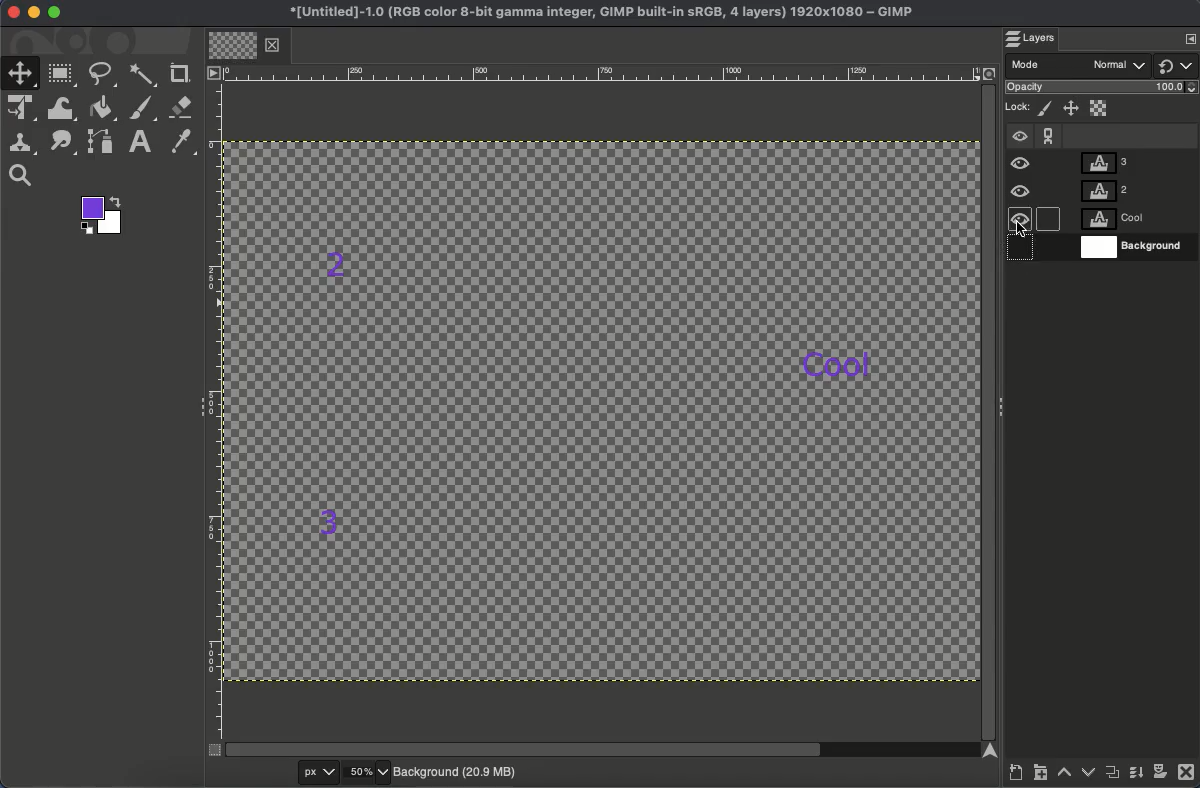  Describe the element at coordinates (142, 141) in the screenshot. I see `Text` at that location.